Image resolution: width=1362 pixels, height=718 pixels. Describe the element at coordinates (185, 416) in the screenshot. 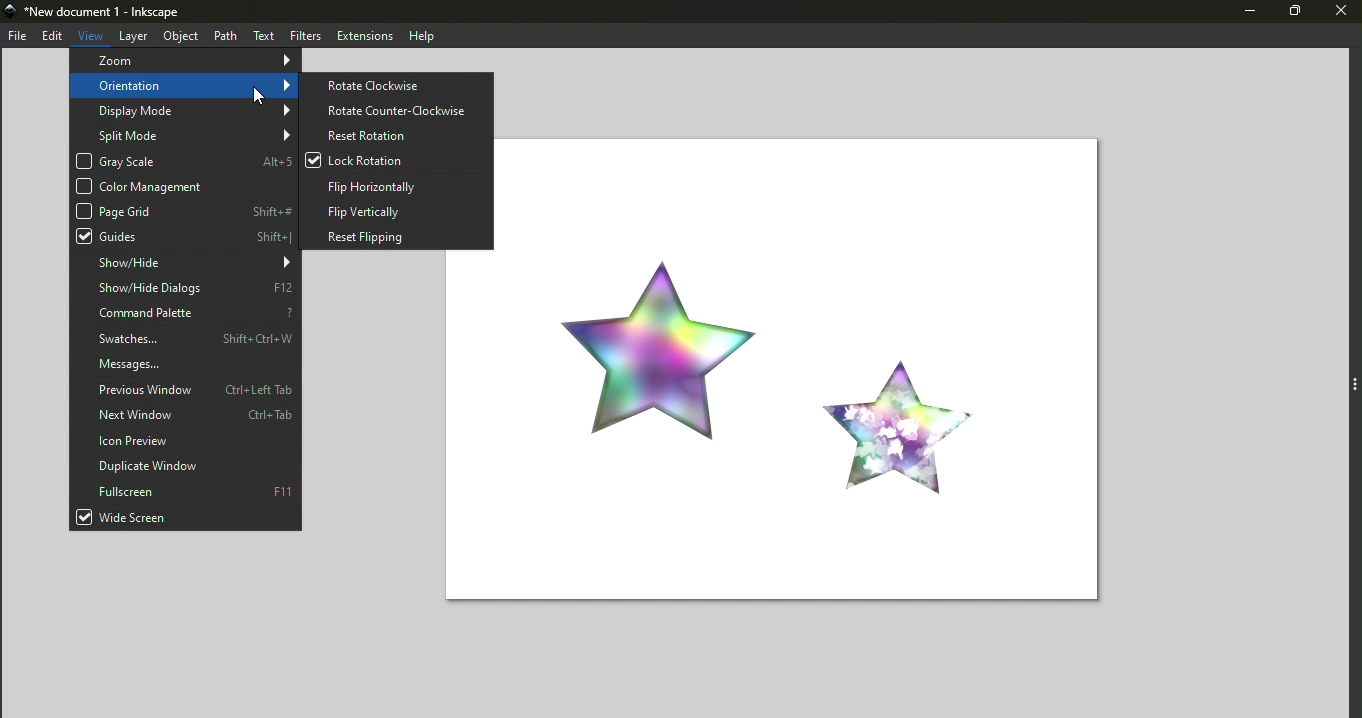

I see `Next window` at that location.